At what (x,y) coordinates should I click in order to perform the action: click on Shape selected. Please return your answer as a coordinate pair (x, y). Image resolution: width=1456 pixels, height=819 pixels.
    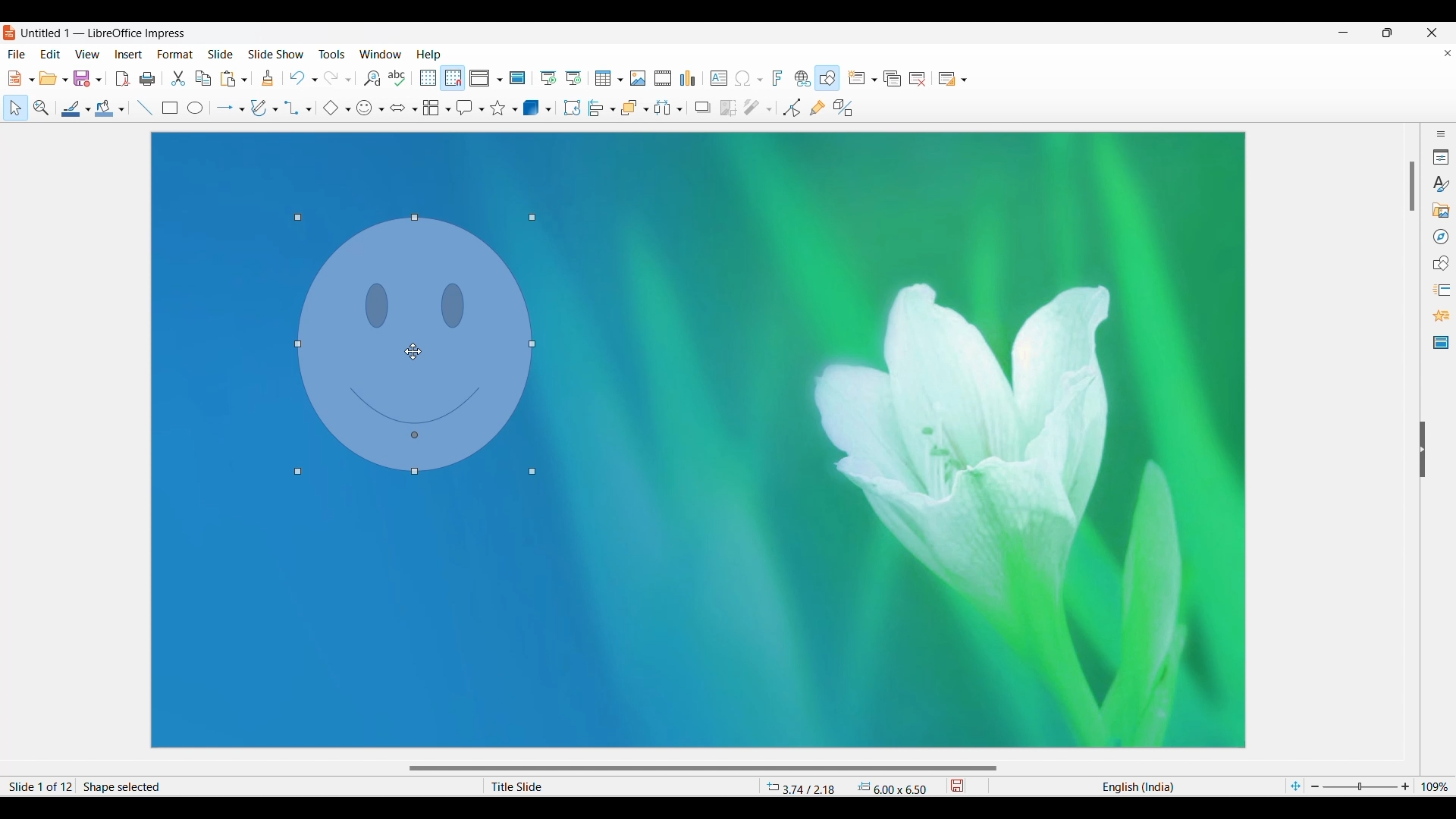
    Looking at the image, I should click on (240, 786).